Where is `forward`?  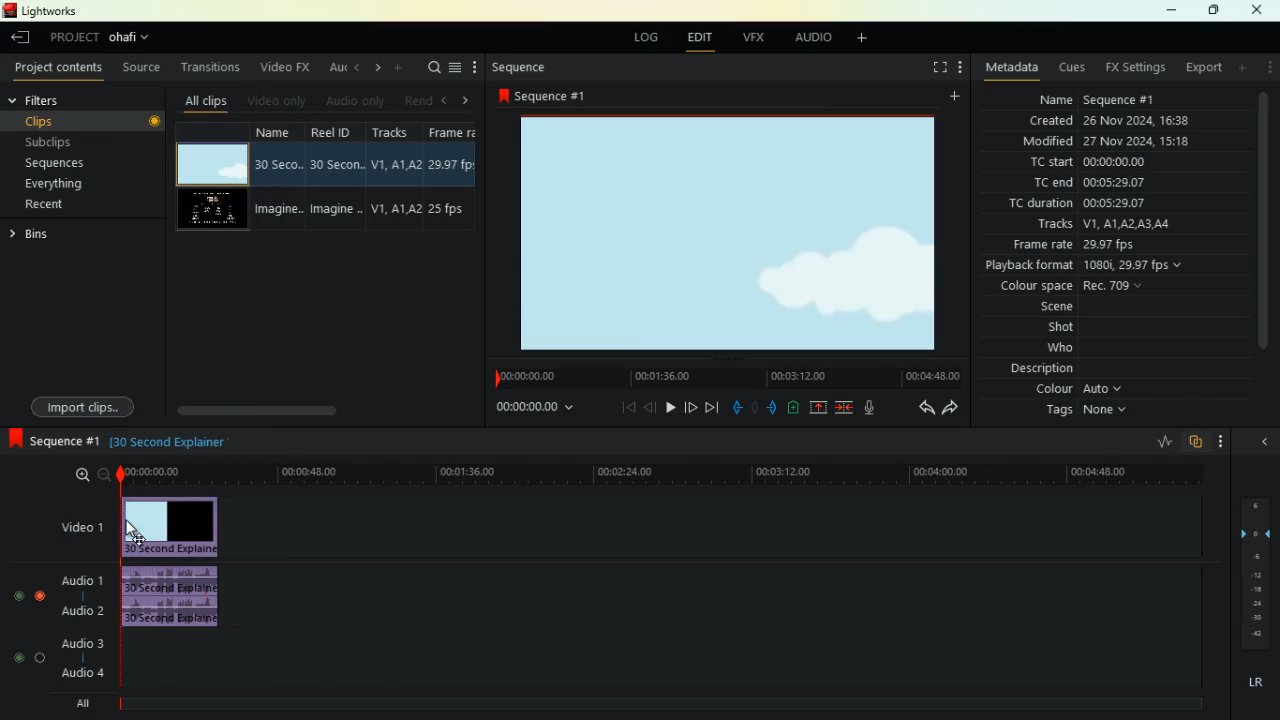 forward is located at coordinates (954, 407).